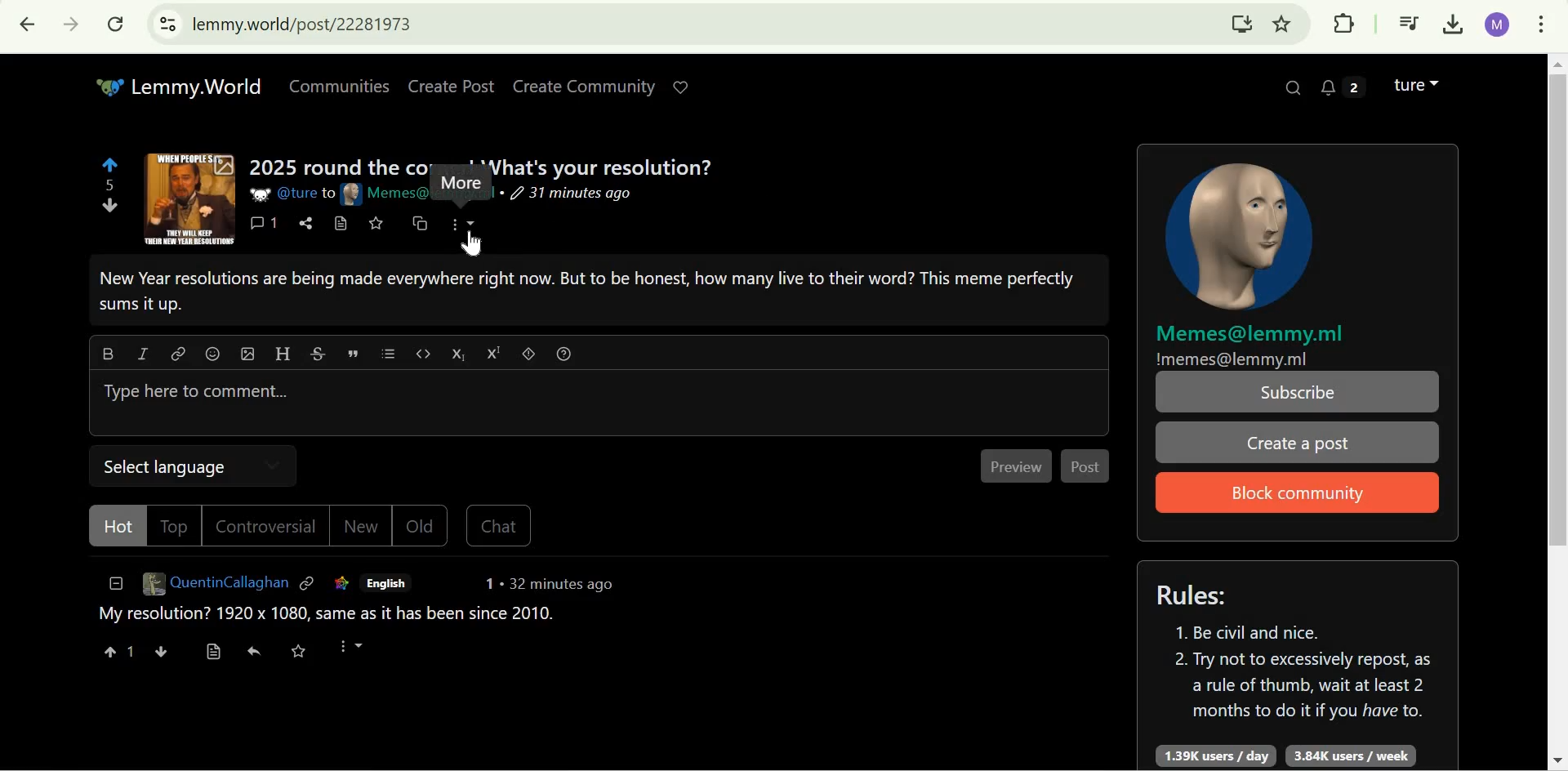 The image size is (1568, 771). I want to click on , so click(106, 85).